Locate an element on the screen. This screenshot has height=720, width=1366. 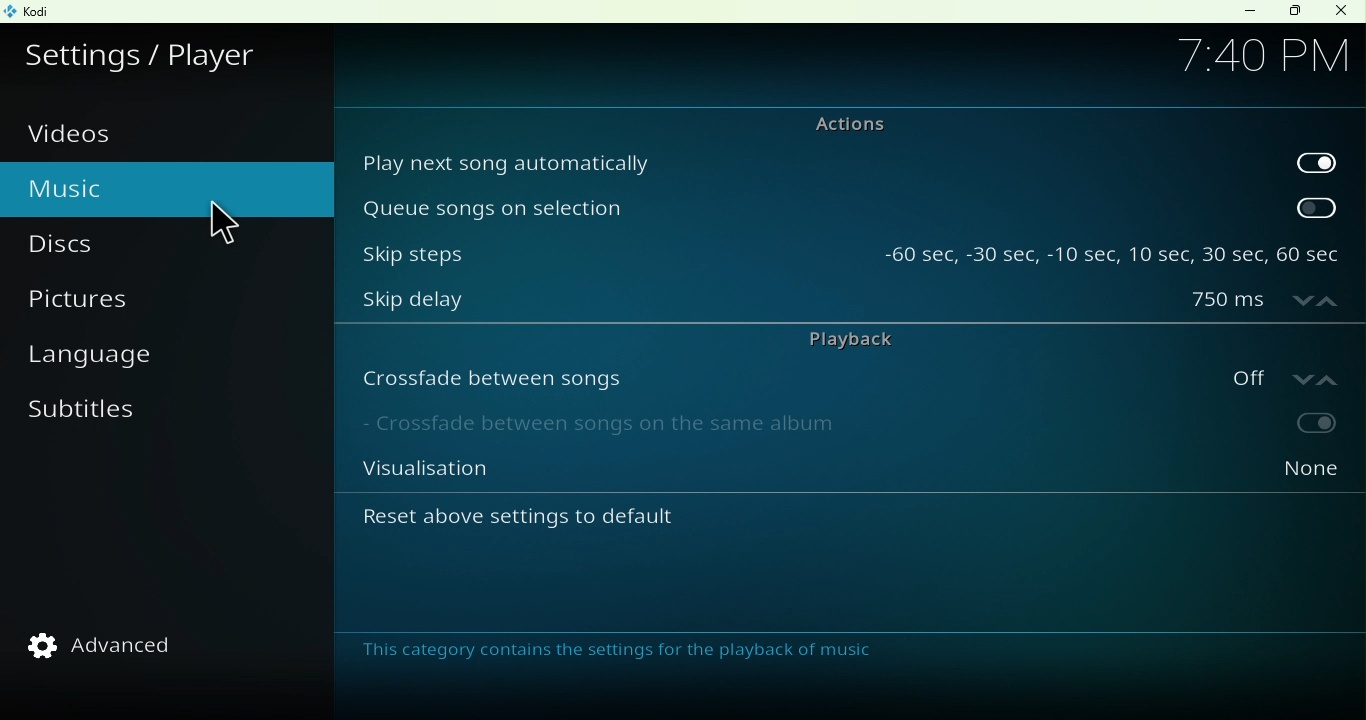
Play next song automatically is located at coordinates (811, 161).